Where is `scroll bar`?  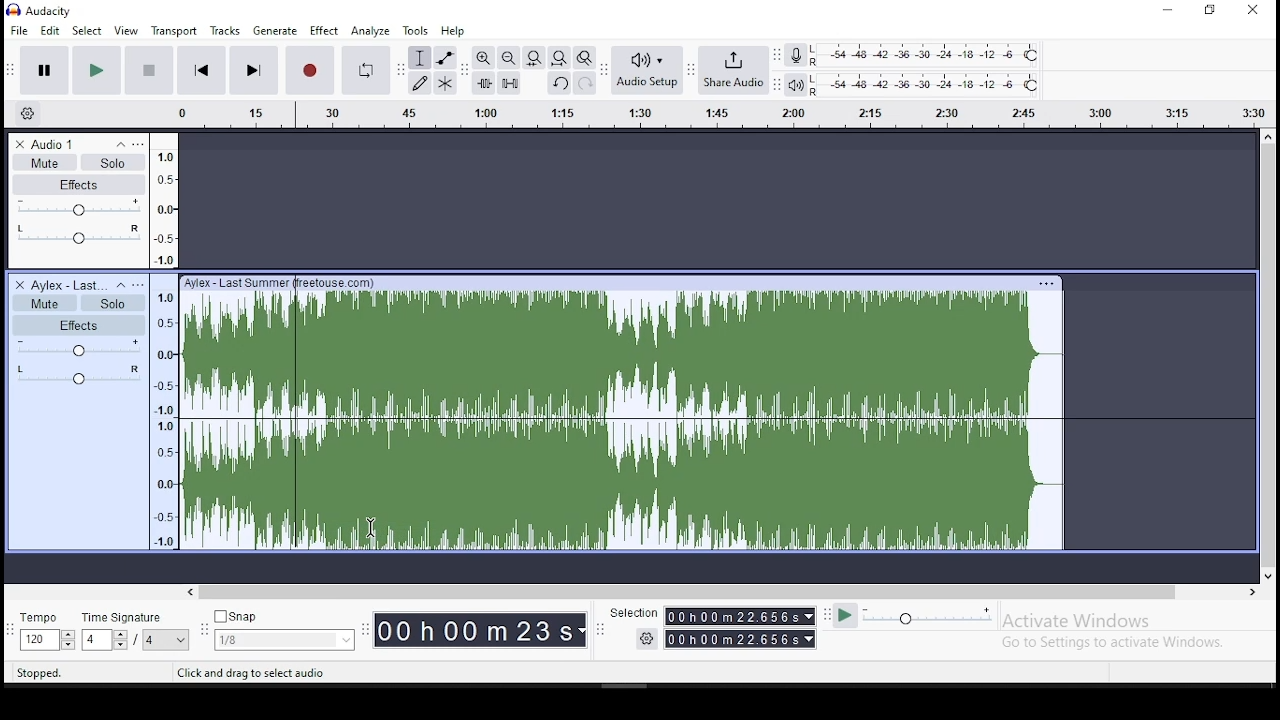 scroll bar is located at coordinates (1268, 356).